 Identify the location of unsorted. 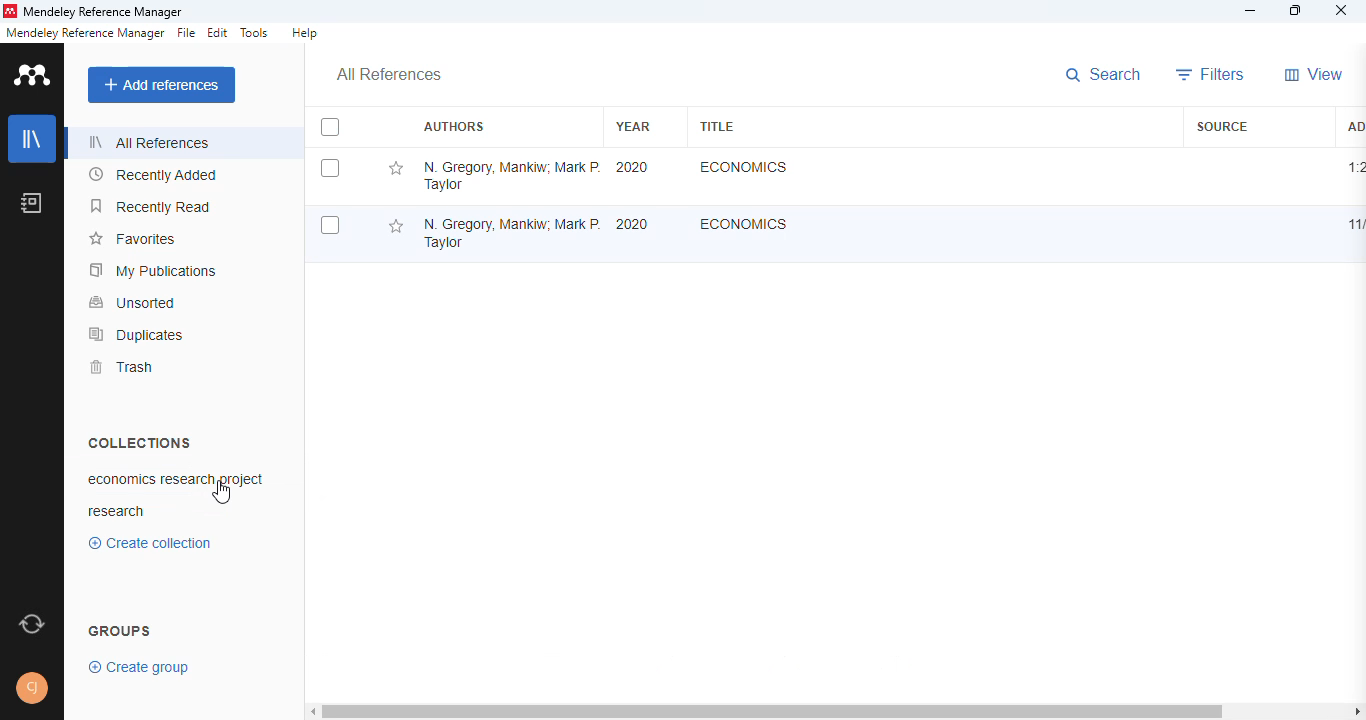
(133, 302).